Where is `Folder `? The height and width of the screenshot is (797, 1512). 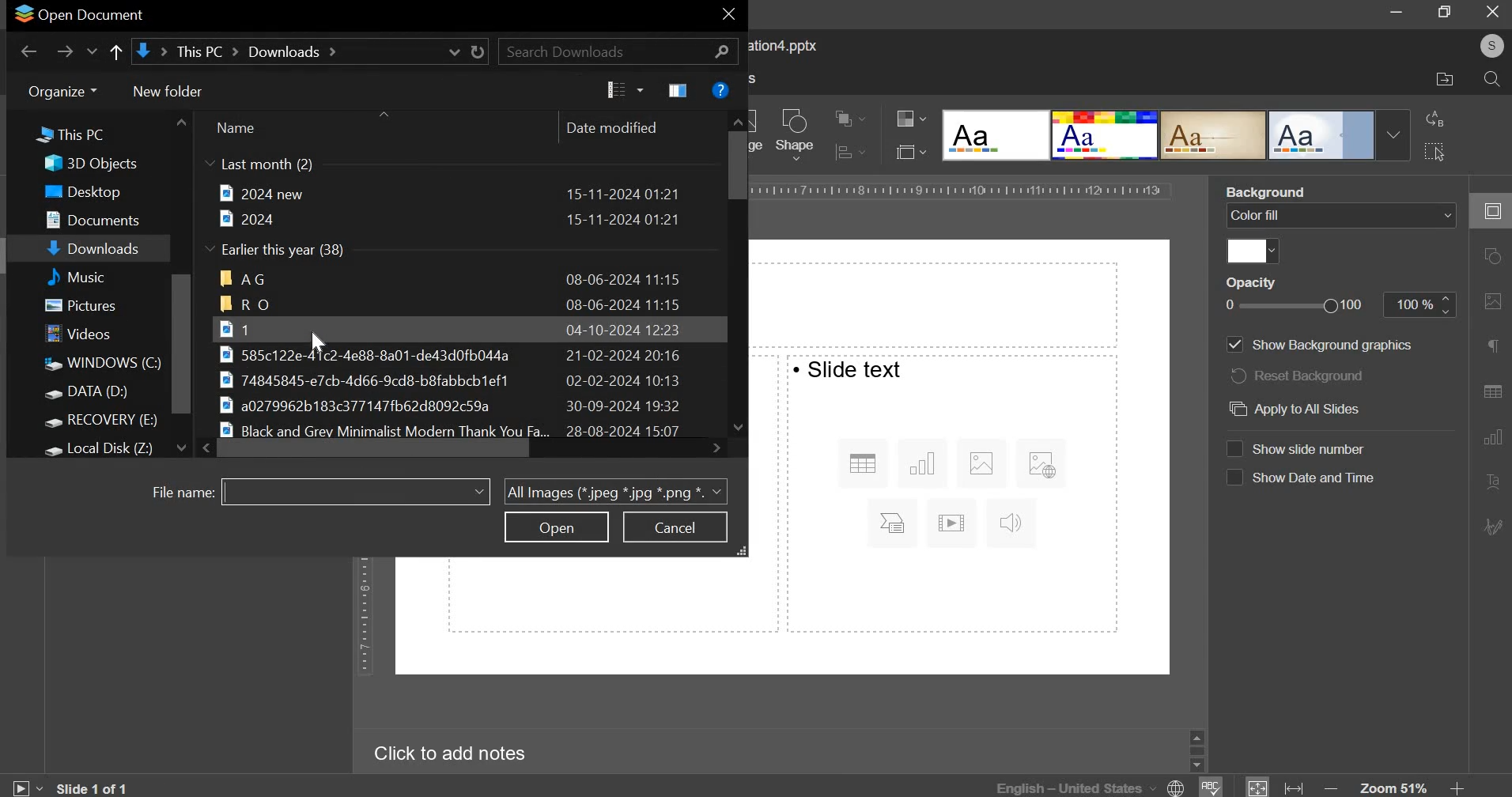 Folder  is located at coordinates (451, 304).